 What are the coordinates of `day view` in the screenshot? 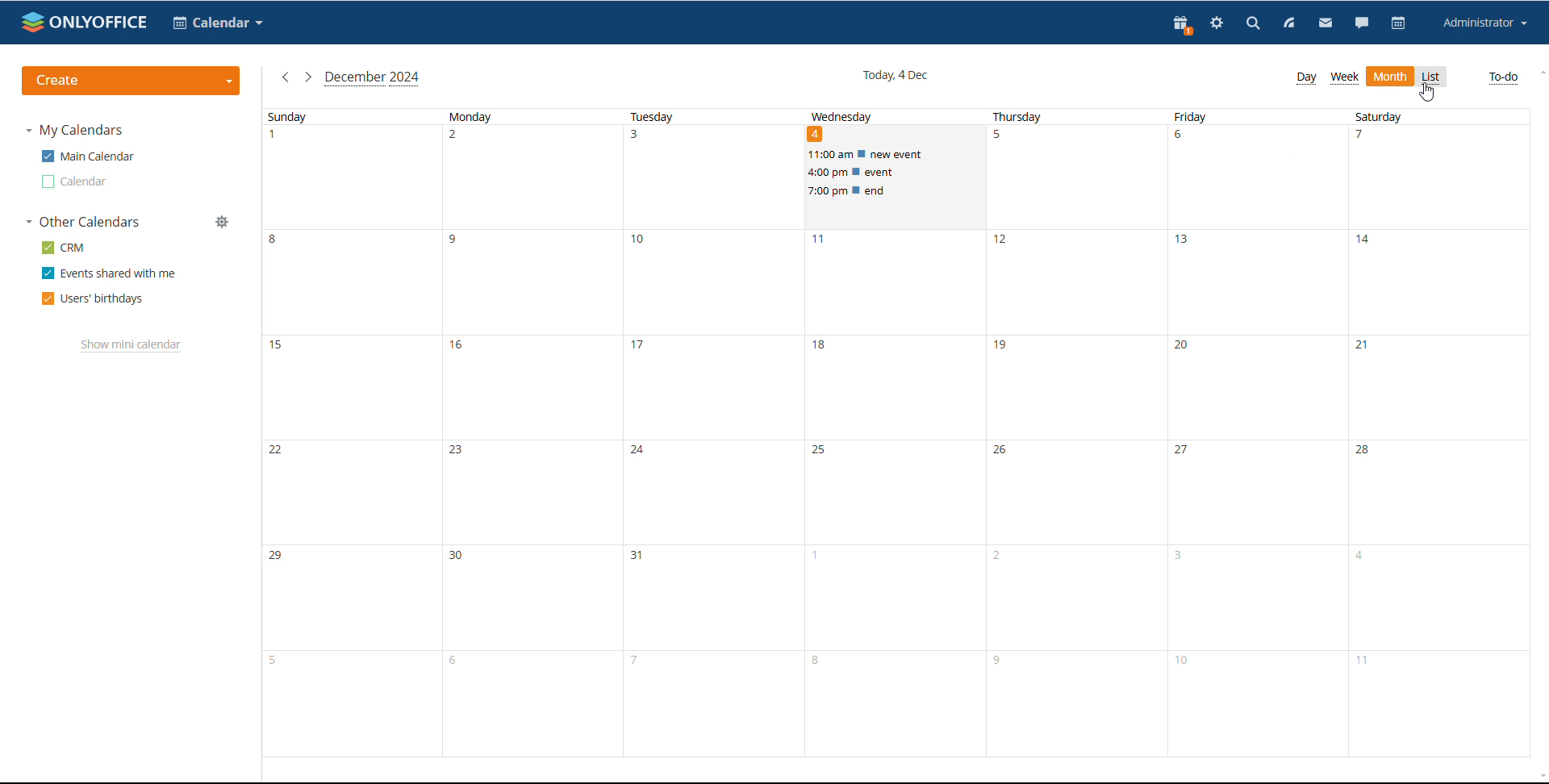 It's located at (1305, 77).